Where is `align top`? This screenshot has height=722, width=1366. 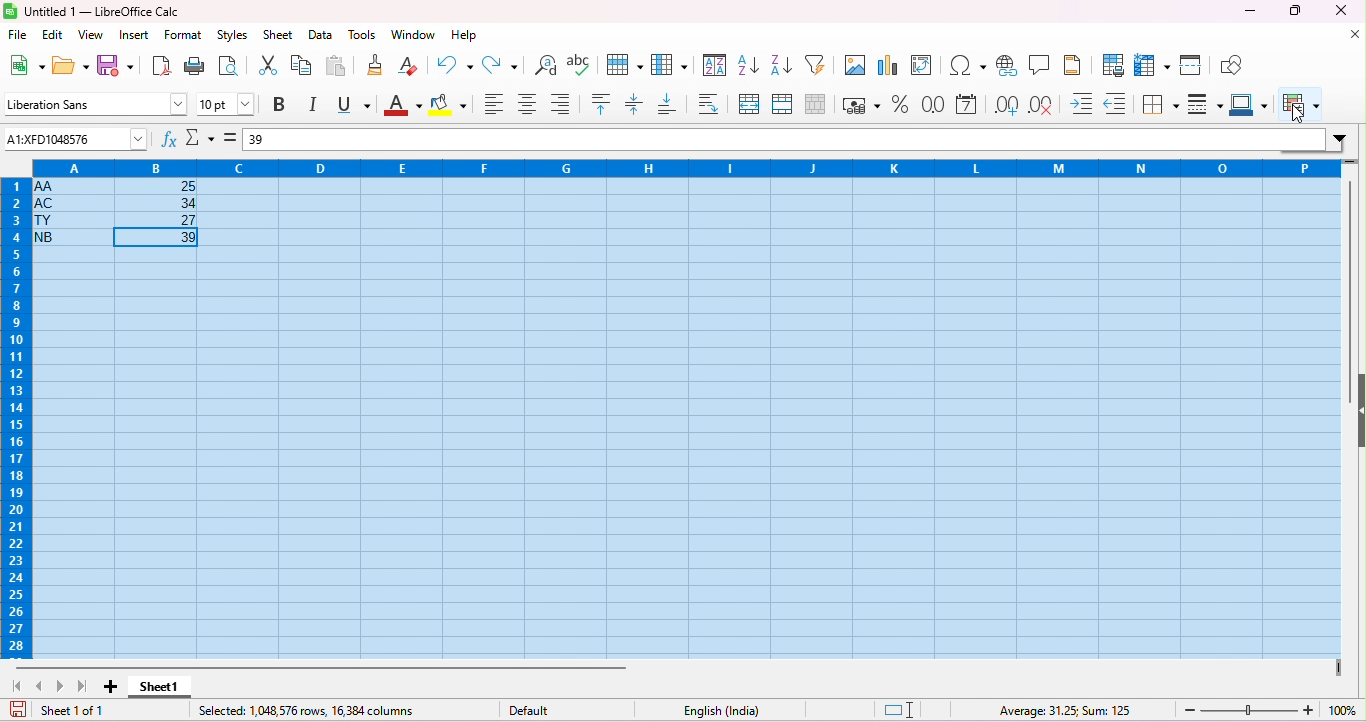 align top is located at coordinates (603, 103).